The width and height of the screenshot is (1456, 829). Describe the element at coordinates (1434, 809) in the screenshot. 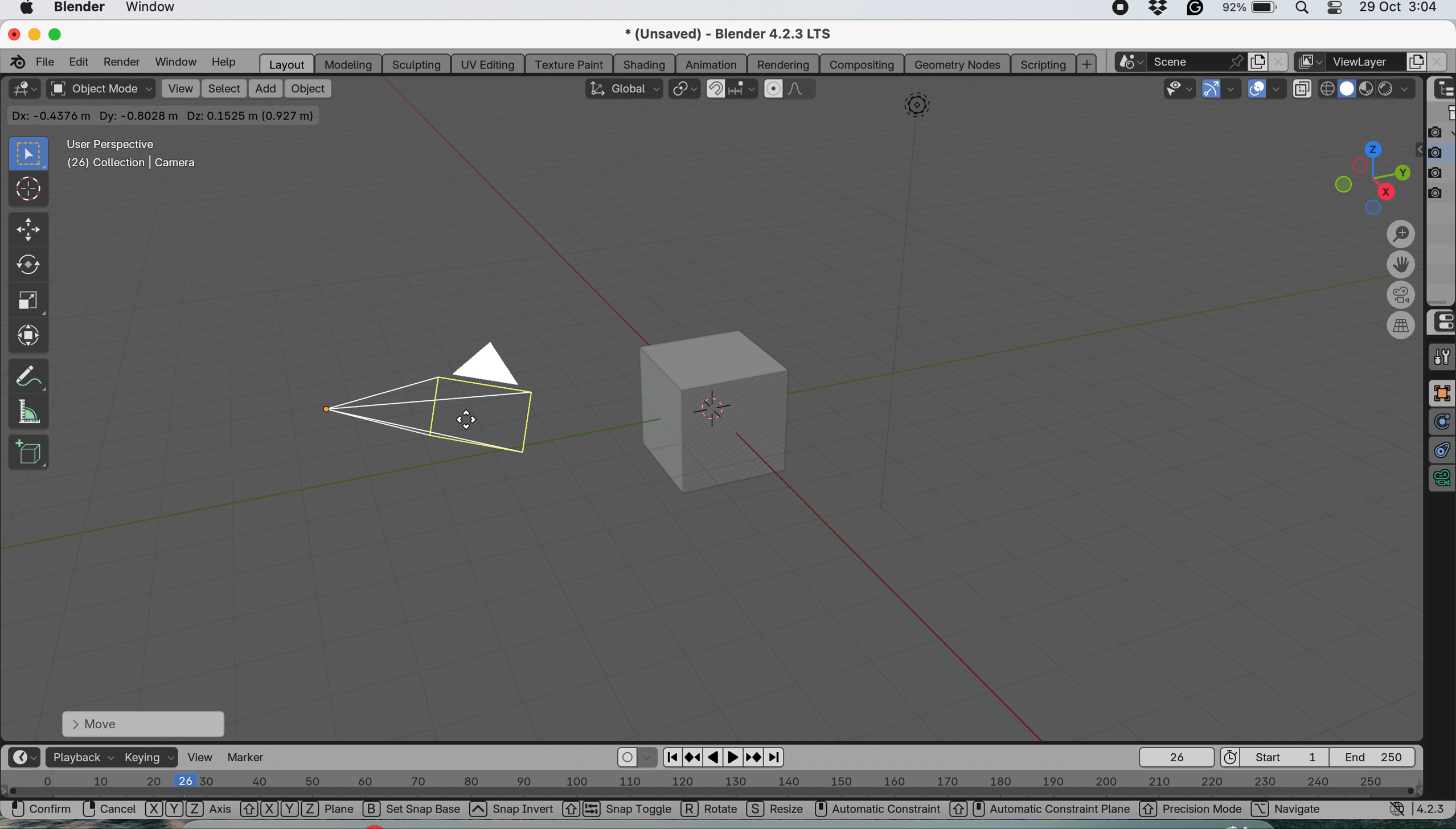

I see `4.2.3 version` at that location.